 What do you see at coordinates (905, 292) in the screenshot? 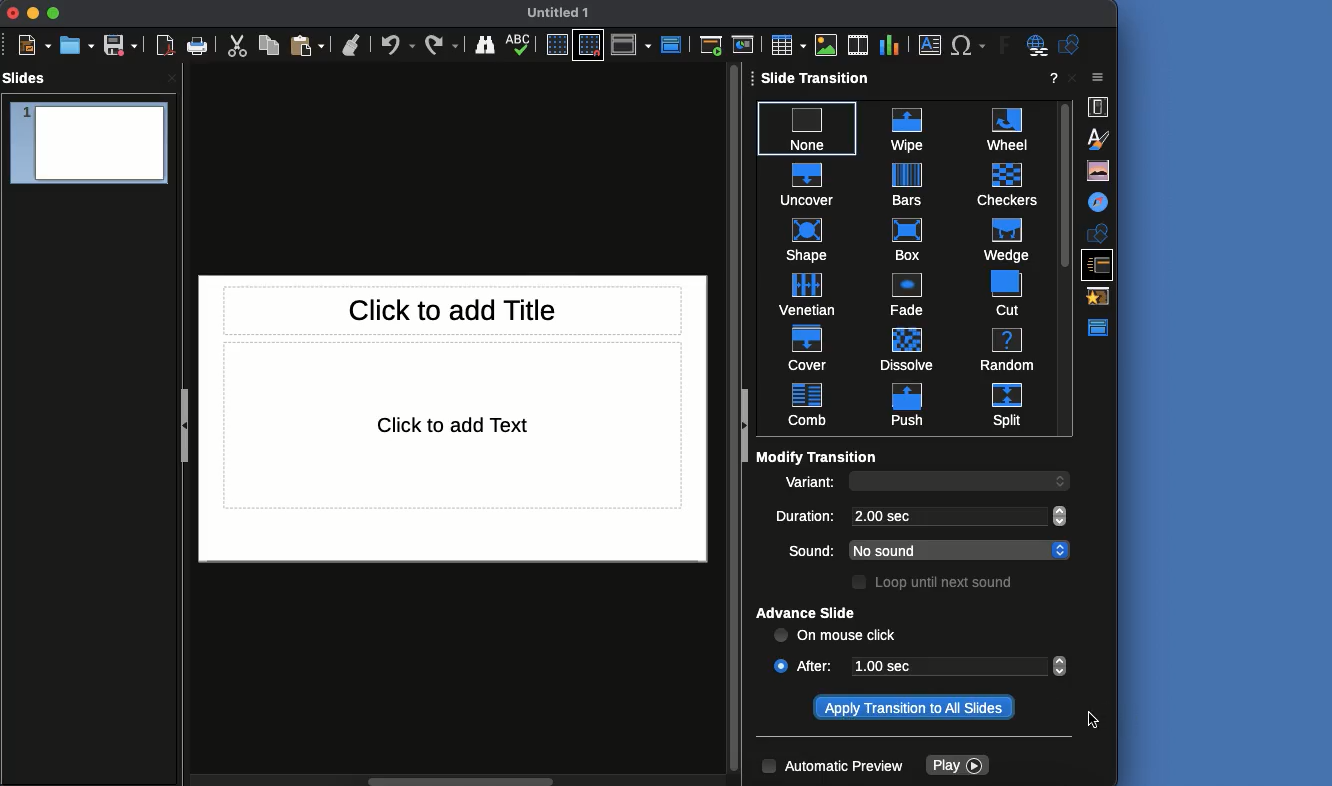
I see `fade` at bounding box center [905, 292].